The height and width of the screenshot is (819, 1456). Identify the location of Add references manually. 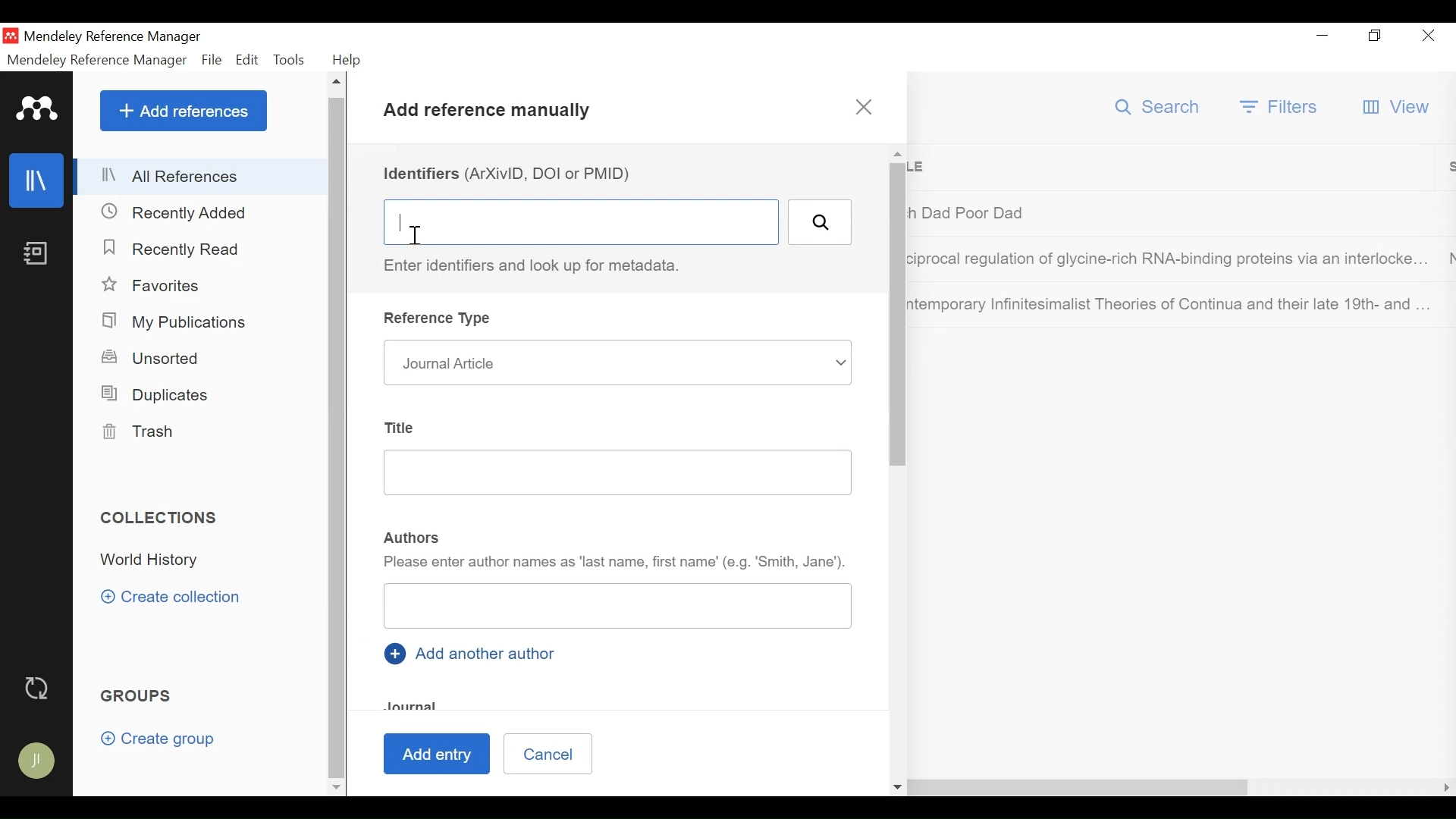
(492, 113).